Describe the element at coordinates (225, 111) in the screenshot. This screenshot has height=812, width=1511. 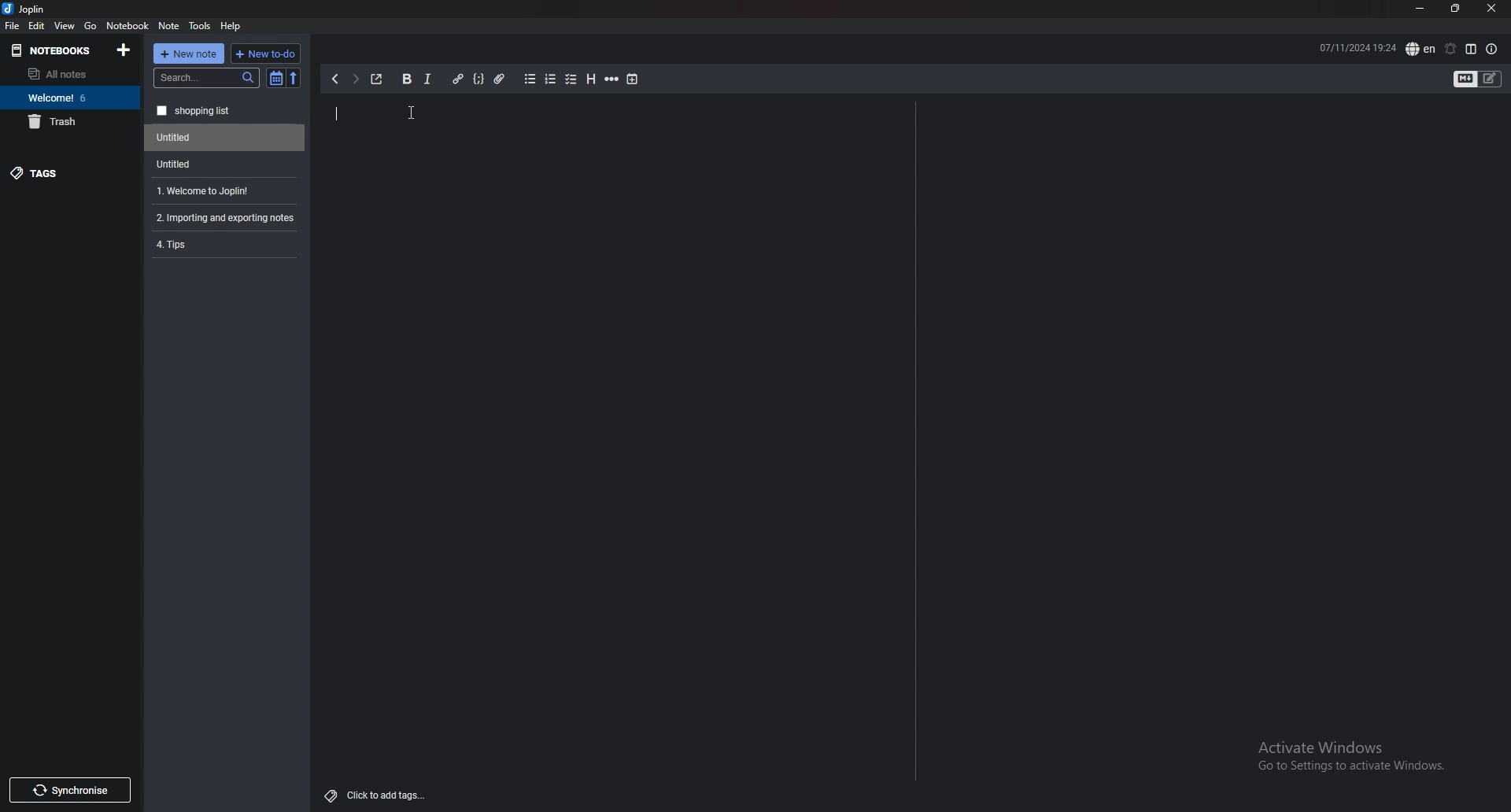
I see `shopping list` at that location.